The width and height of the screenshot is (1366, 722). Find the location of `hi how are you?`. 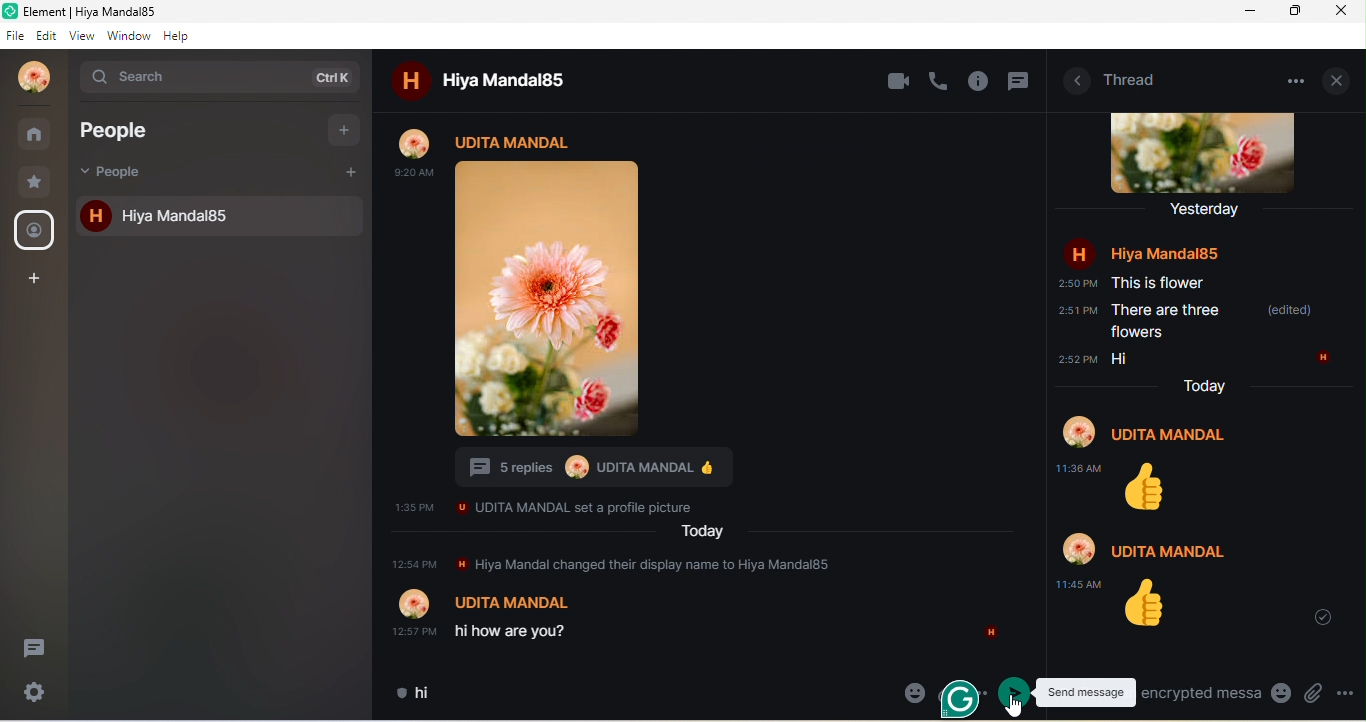

hi how are you? is located at coordinates (524, 632).